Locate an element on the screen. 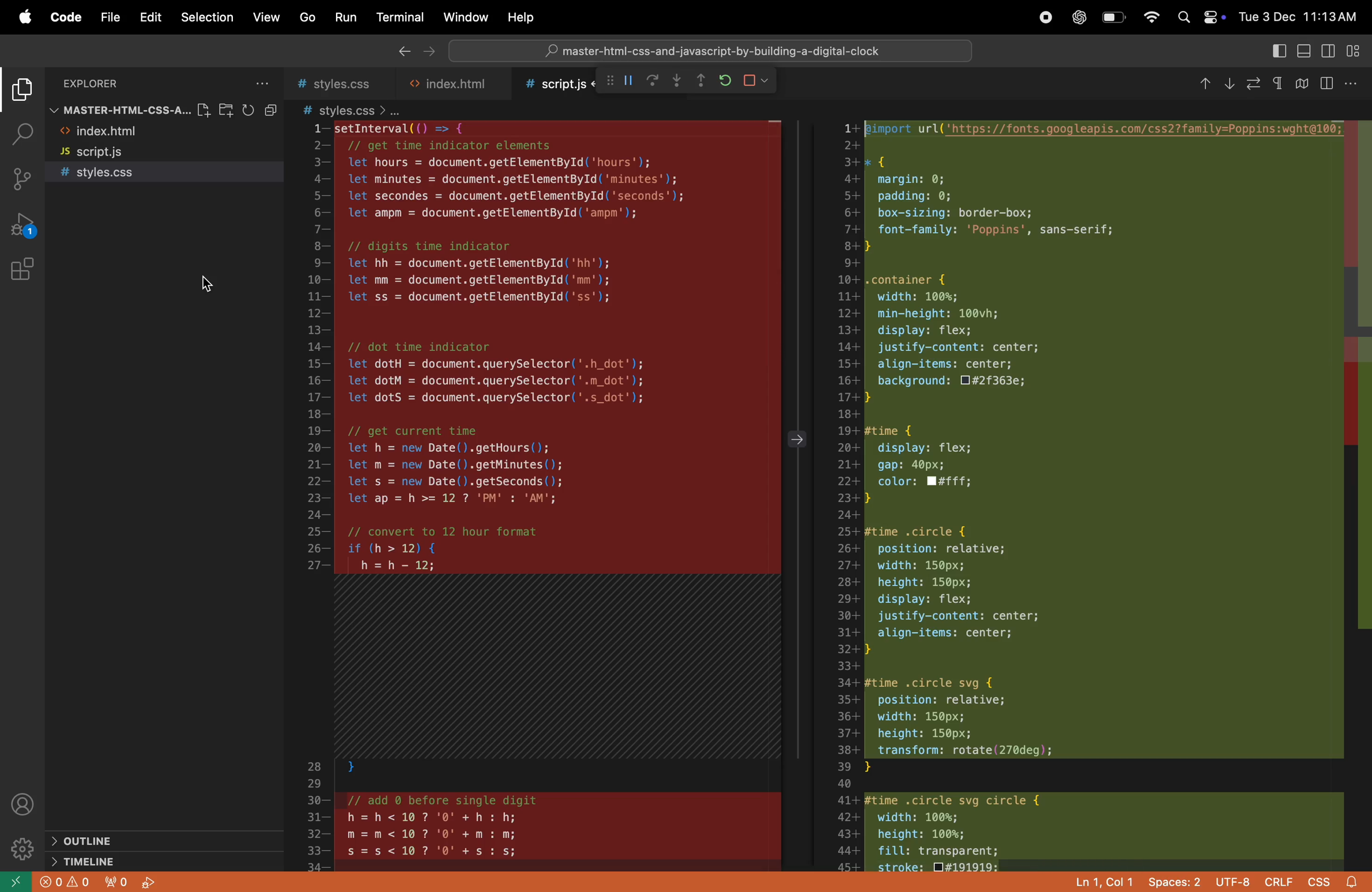  battery is located at coordinates (1111, 17).